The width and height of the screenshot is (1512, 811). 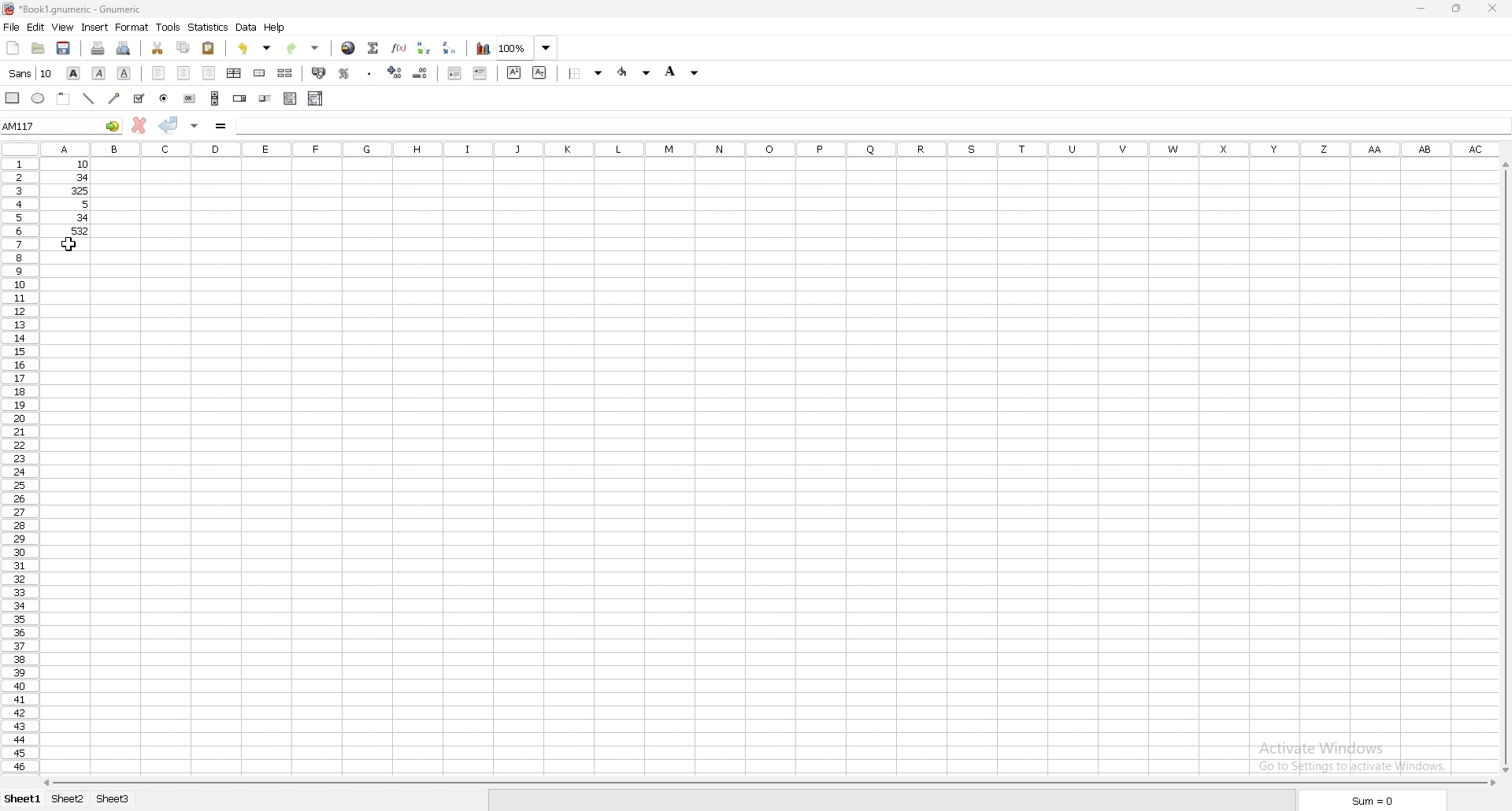 What do you see at coordinates (62, 27) in the screenshot?
I see `view` at bounding box center [62, 27].